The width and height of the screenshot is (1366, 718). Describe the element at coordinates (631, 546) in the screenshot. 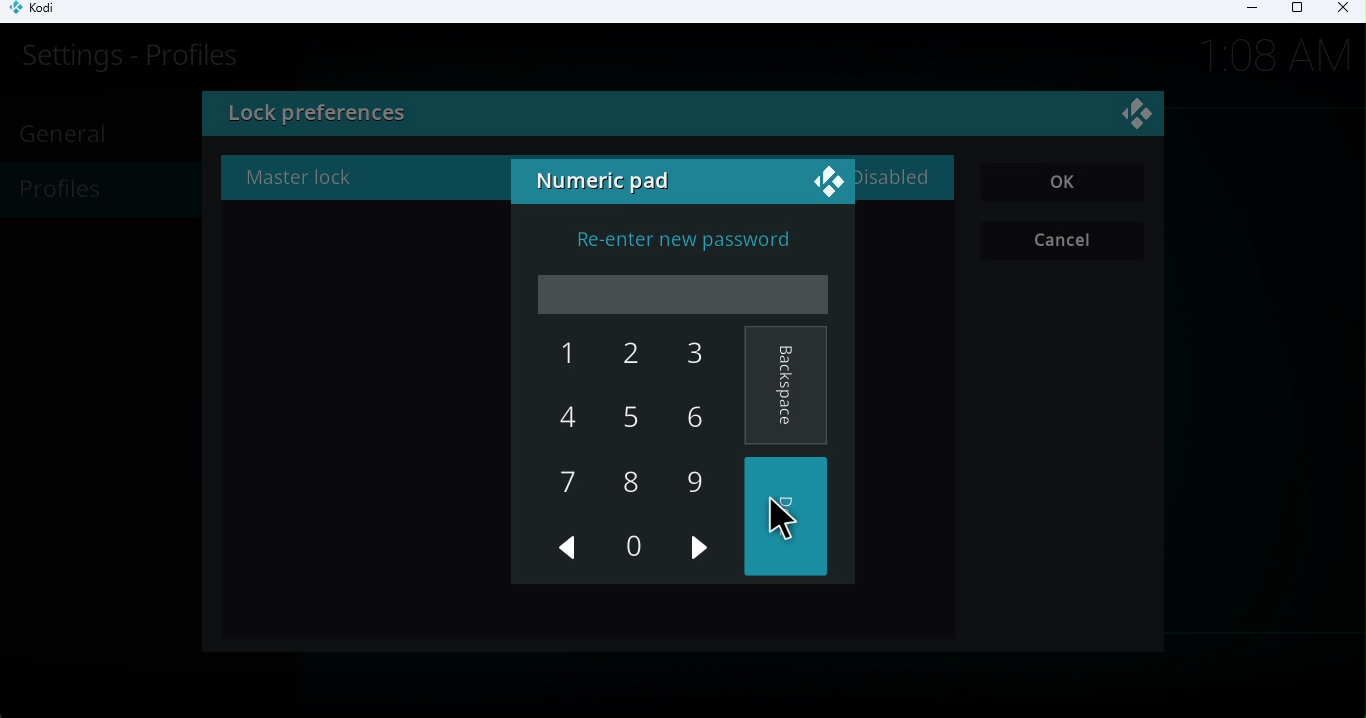

I see `0` at that location.